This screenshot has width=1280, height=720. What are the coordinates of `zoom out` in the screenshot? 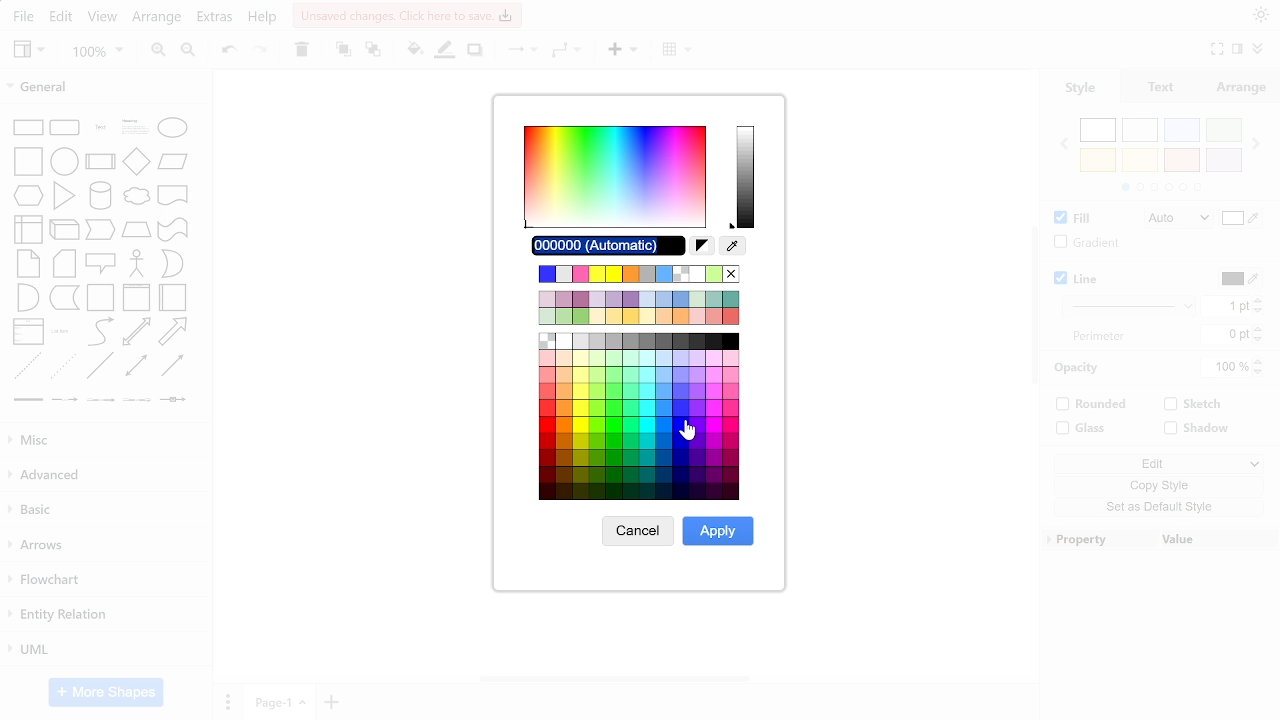 It's located at (190, 53).